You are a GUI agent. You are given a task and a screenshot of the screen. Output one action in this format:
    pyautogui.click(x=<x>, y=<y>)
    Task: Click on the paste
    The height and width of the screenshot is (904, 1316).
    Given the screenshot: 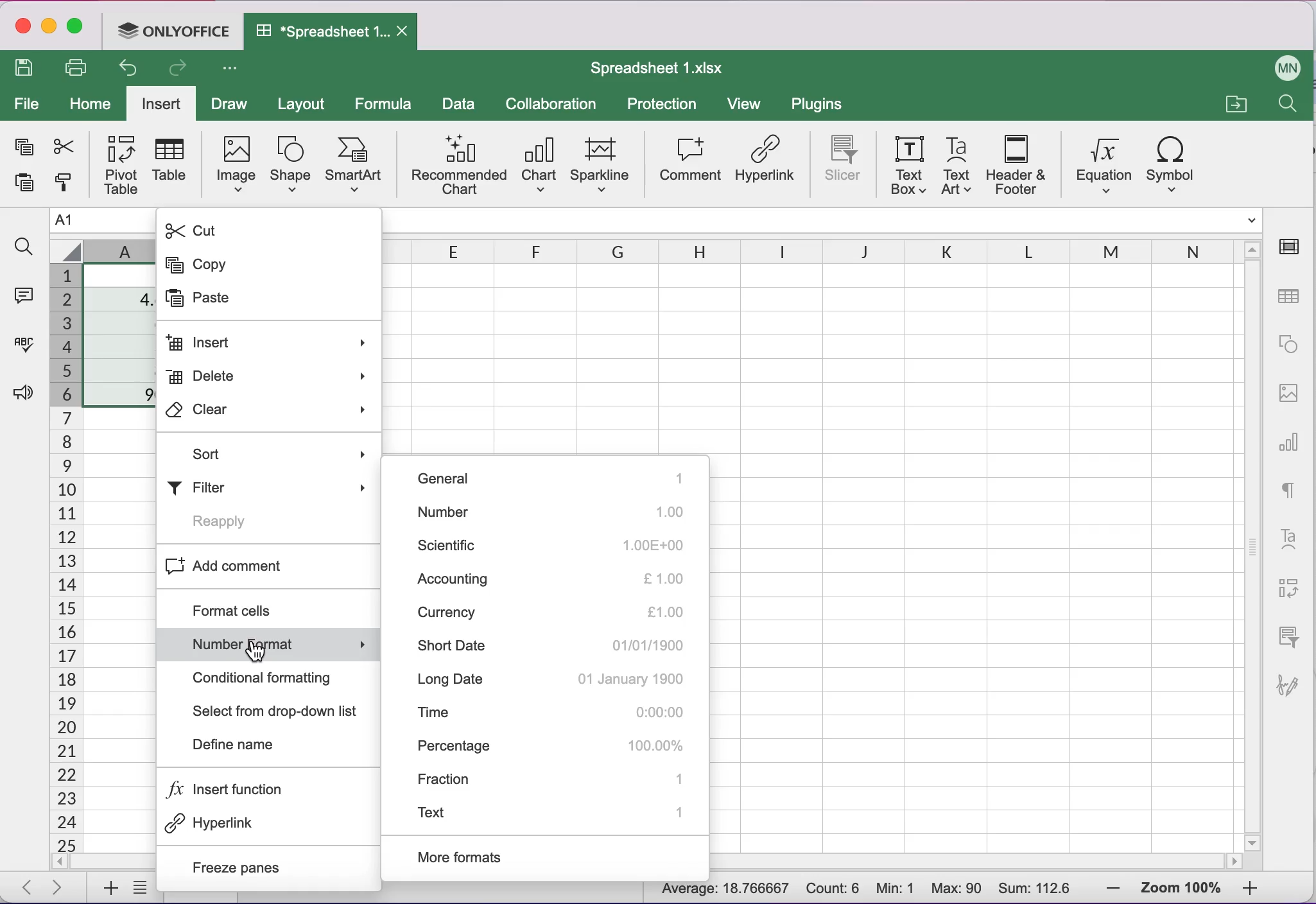 What is the action you would take?
    pyautogui.click(x=24, y=185)
    